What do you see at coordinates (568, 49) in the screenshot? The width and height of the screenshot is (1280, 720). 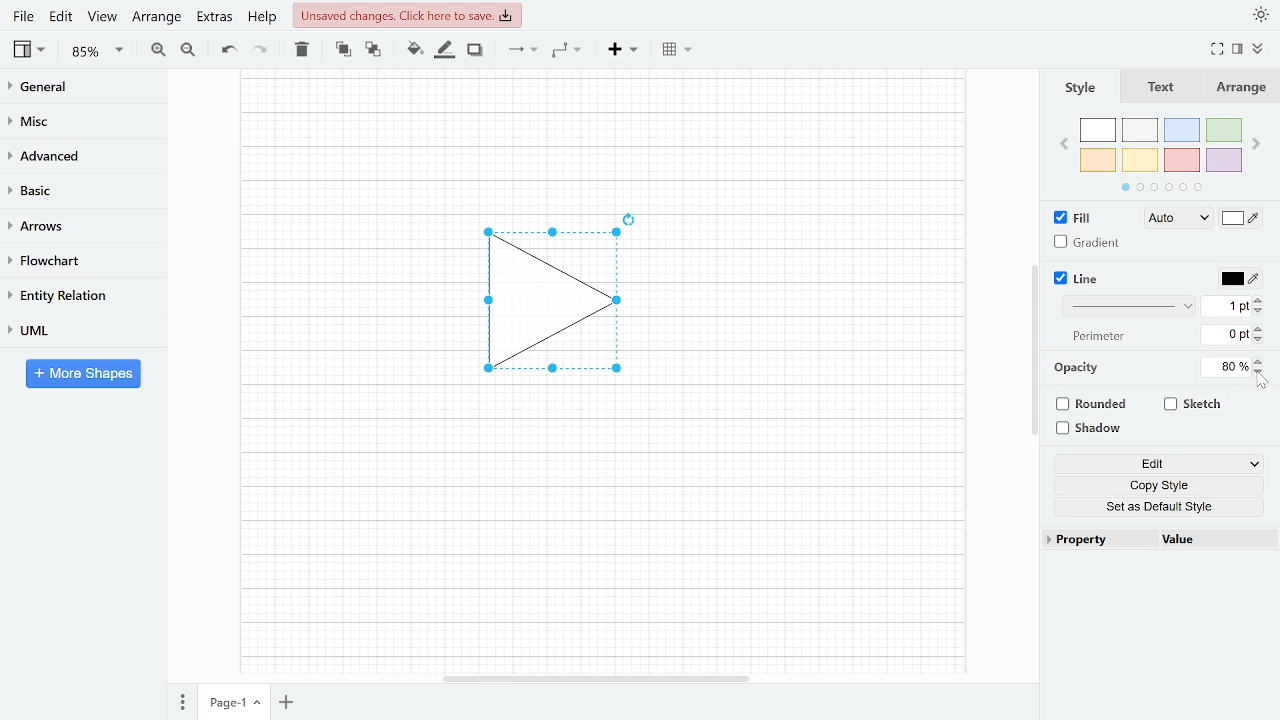 I see `Waypoints` at bounding box center [568, 49].